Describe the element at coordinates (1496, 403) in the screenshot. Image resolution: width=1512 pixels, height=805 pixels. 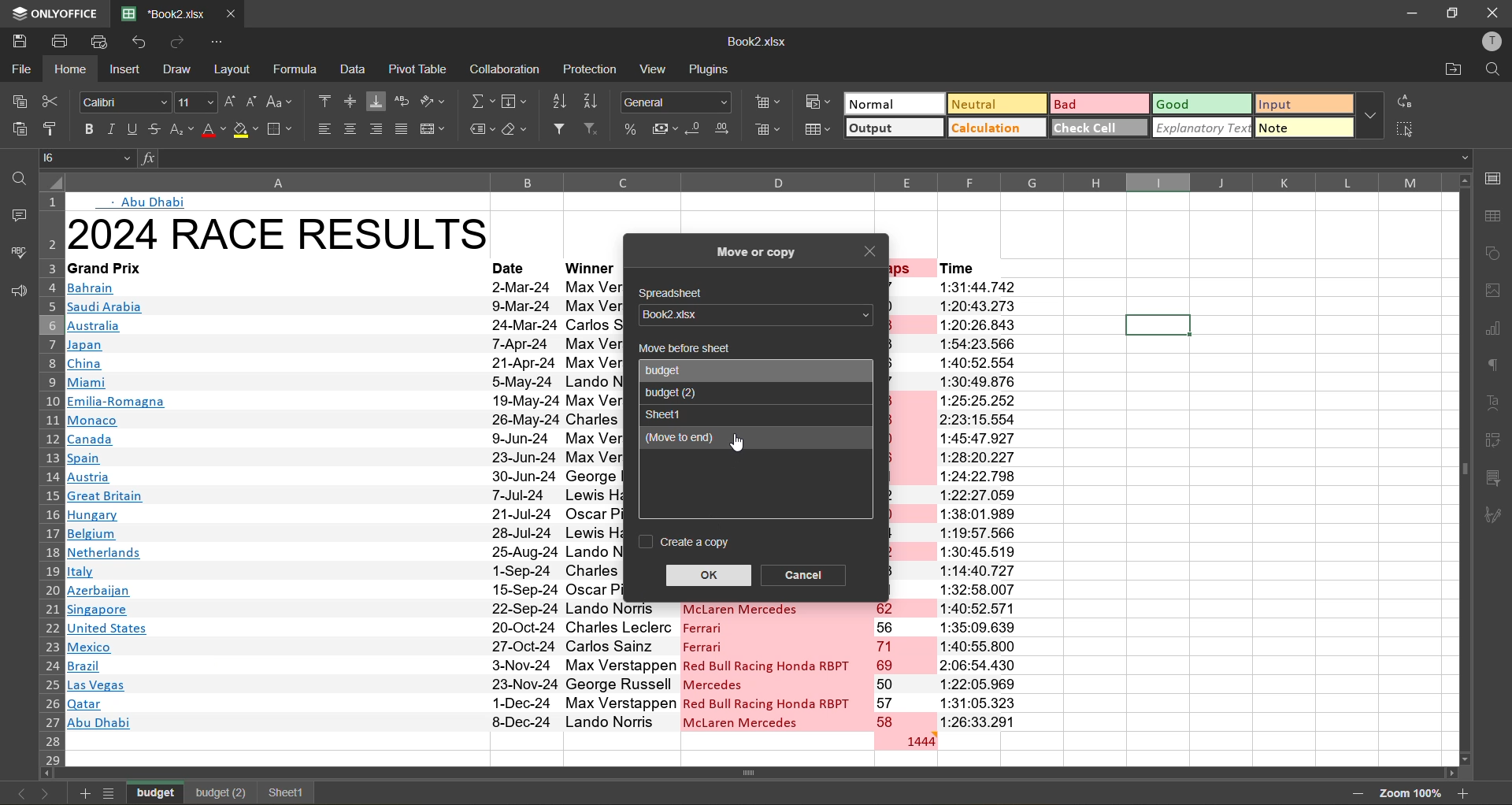
I see `text` at that location.